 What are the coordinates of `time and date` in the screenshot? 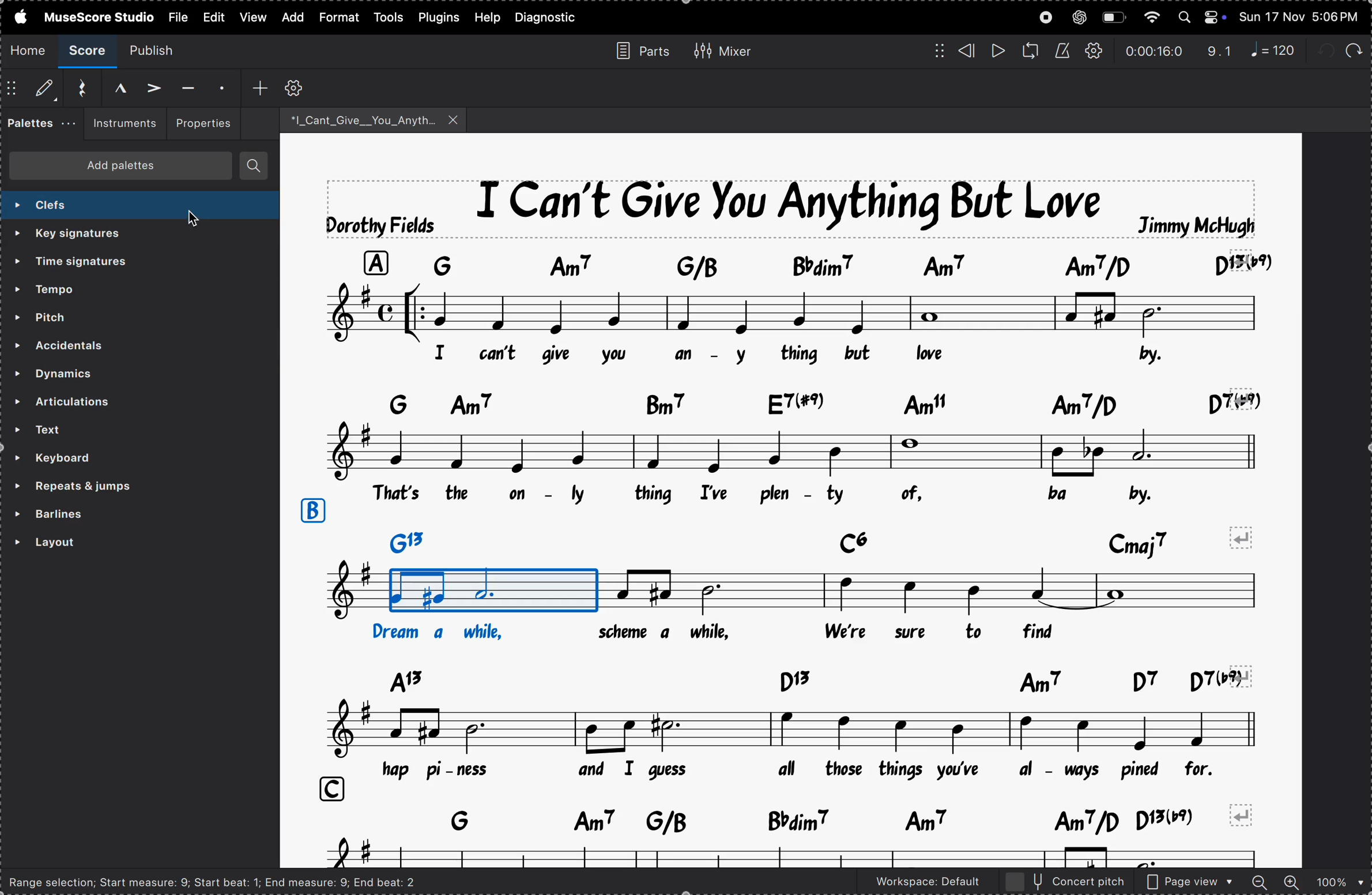 It's located at (1301, 14).